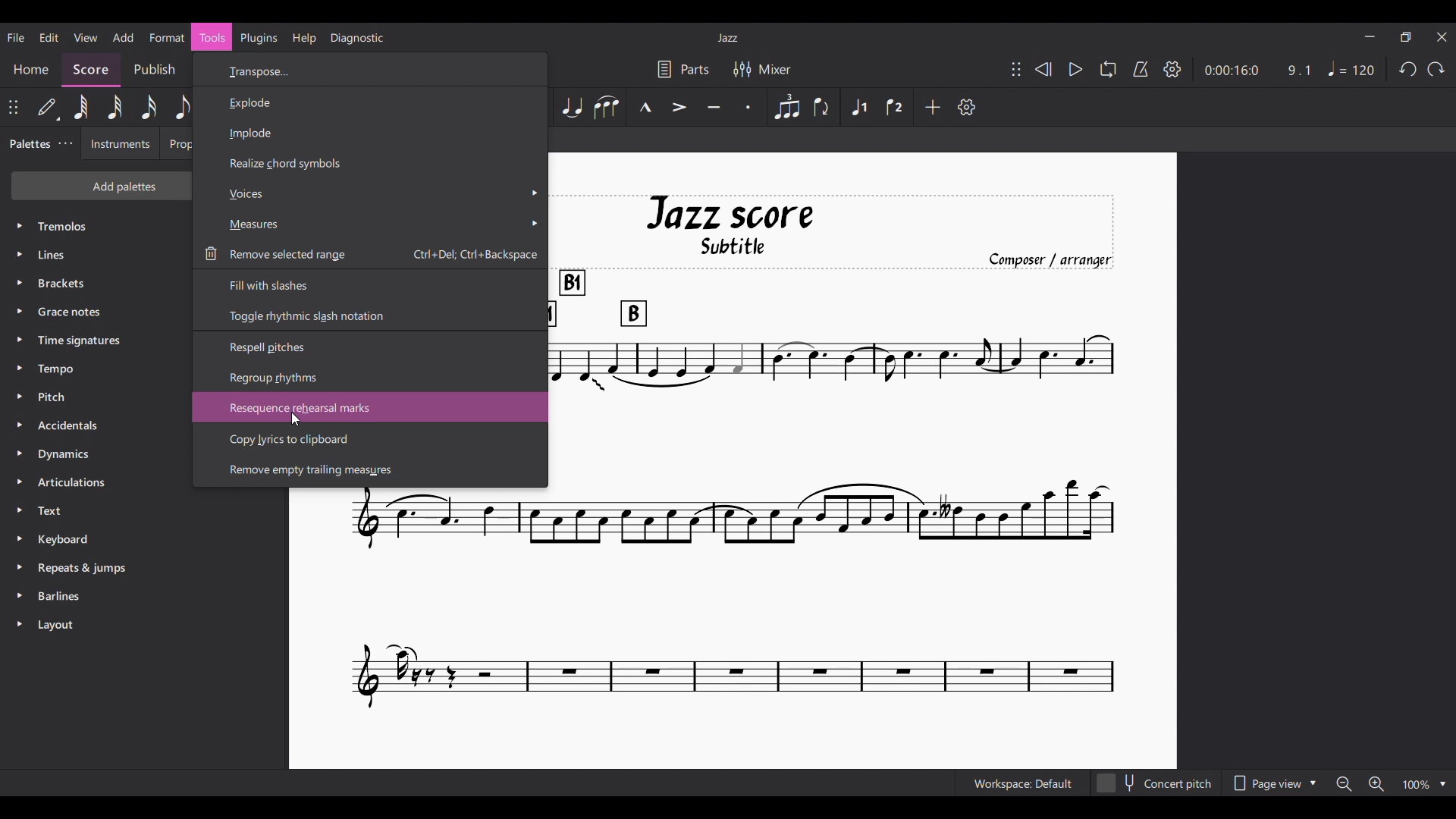  Describe the element at coordinates (96, 368) in the screenshot. I see `Tempo` at that location.